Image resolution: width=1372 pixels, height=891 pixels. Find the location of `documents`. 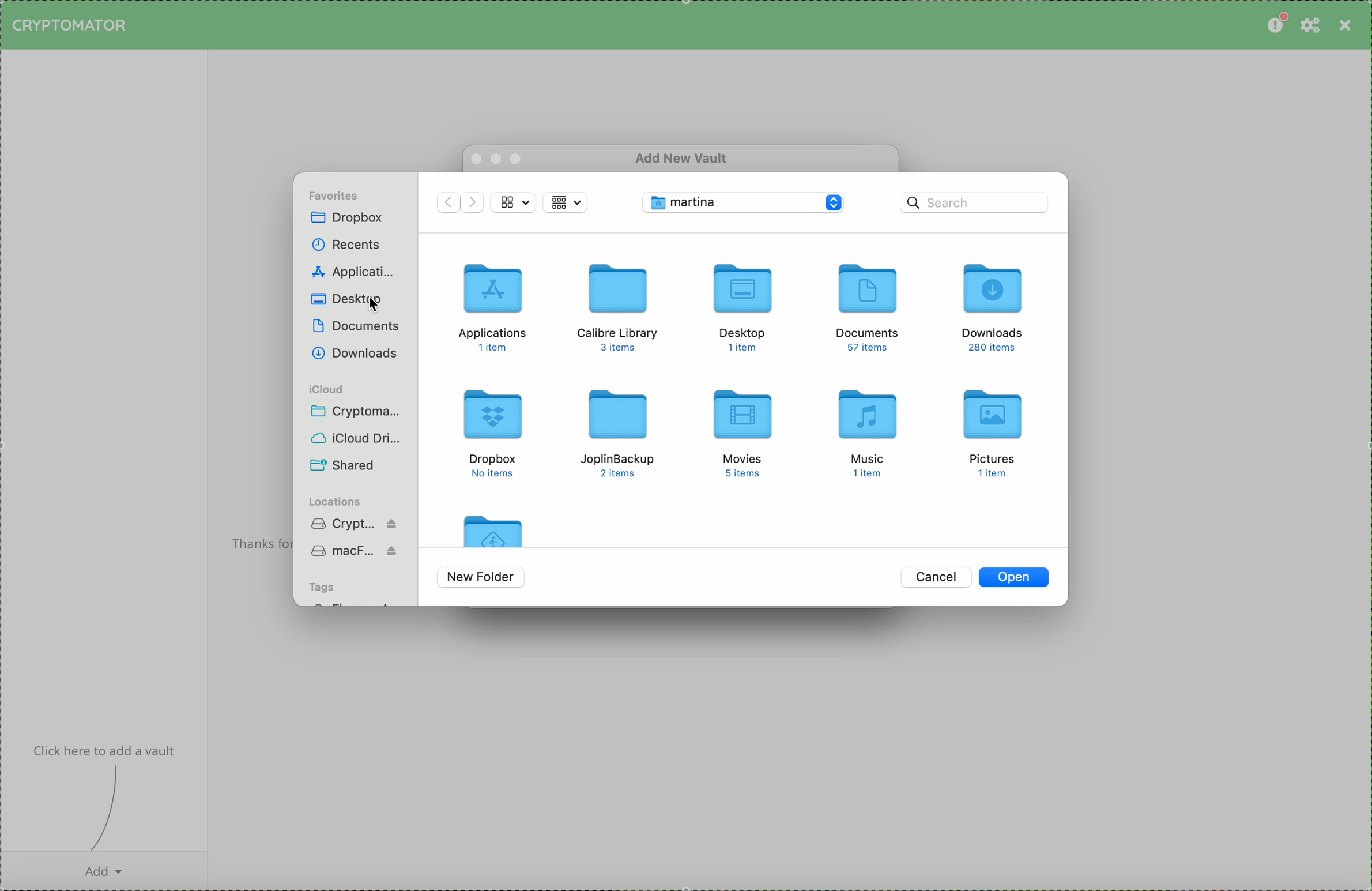

documents is located at coordinates (354, 326).